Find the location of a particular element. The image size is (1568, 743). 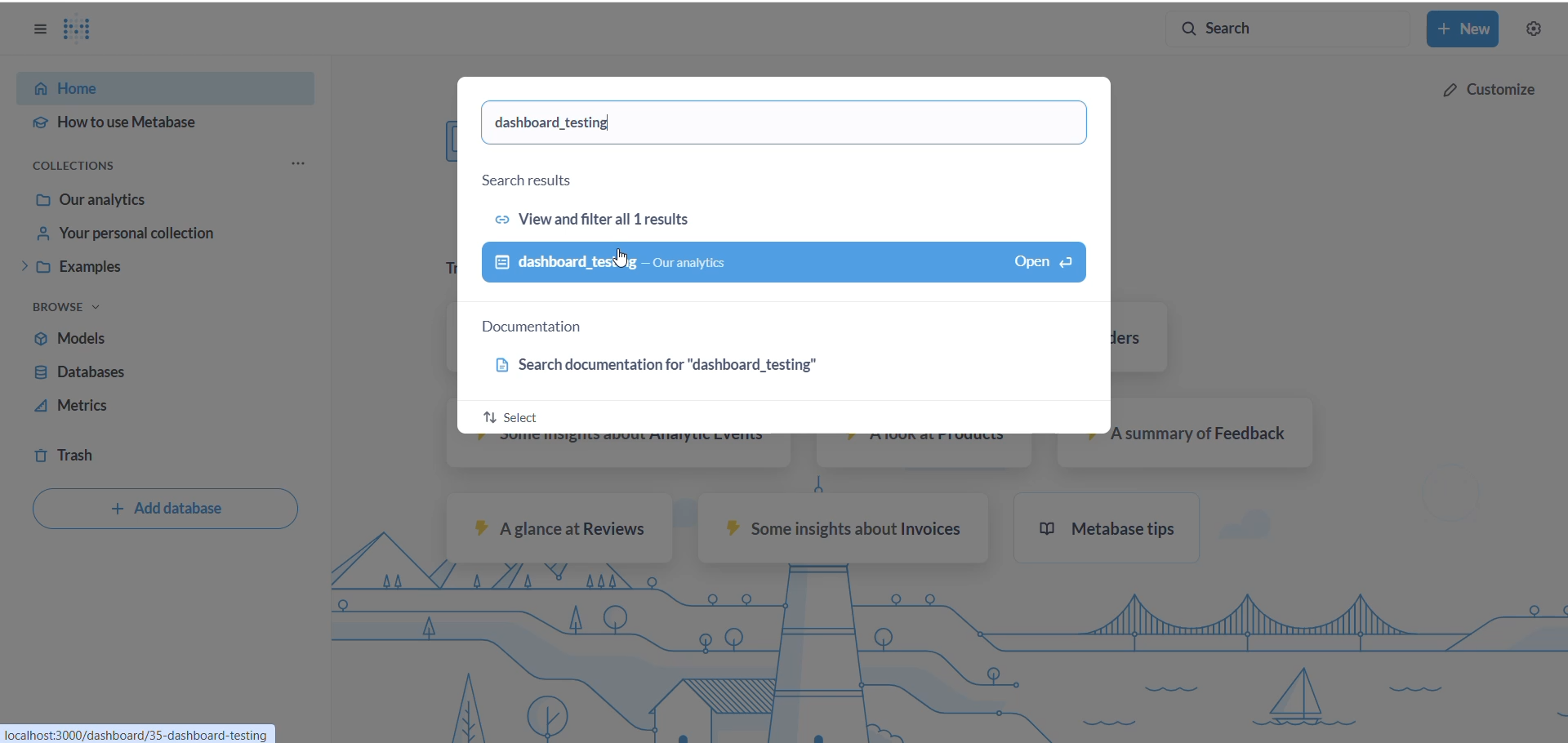

settings is located at coordinates (1537, 29).